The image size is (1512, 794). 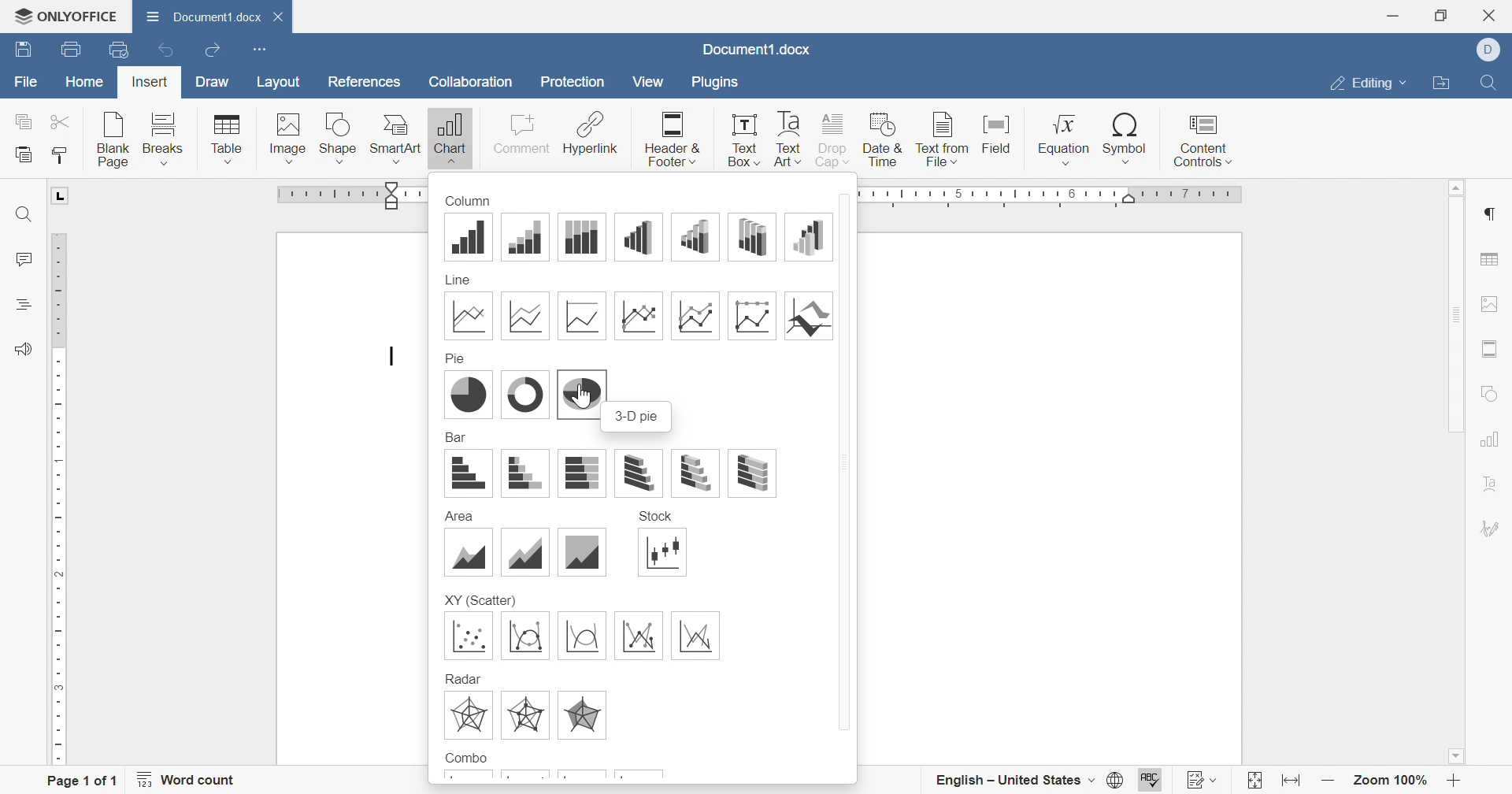 I want to click on Document1.dox, so click(x=758, y=51).